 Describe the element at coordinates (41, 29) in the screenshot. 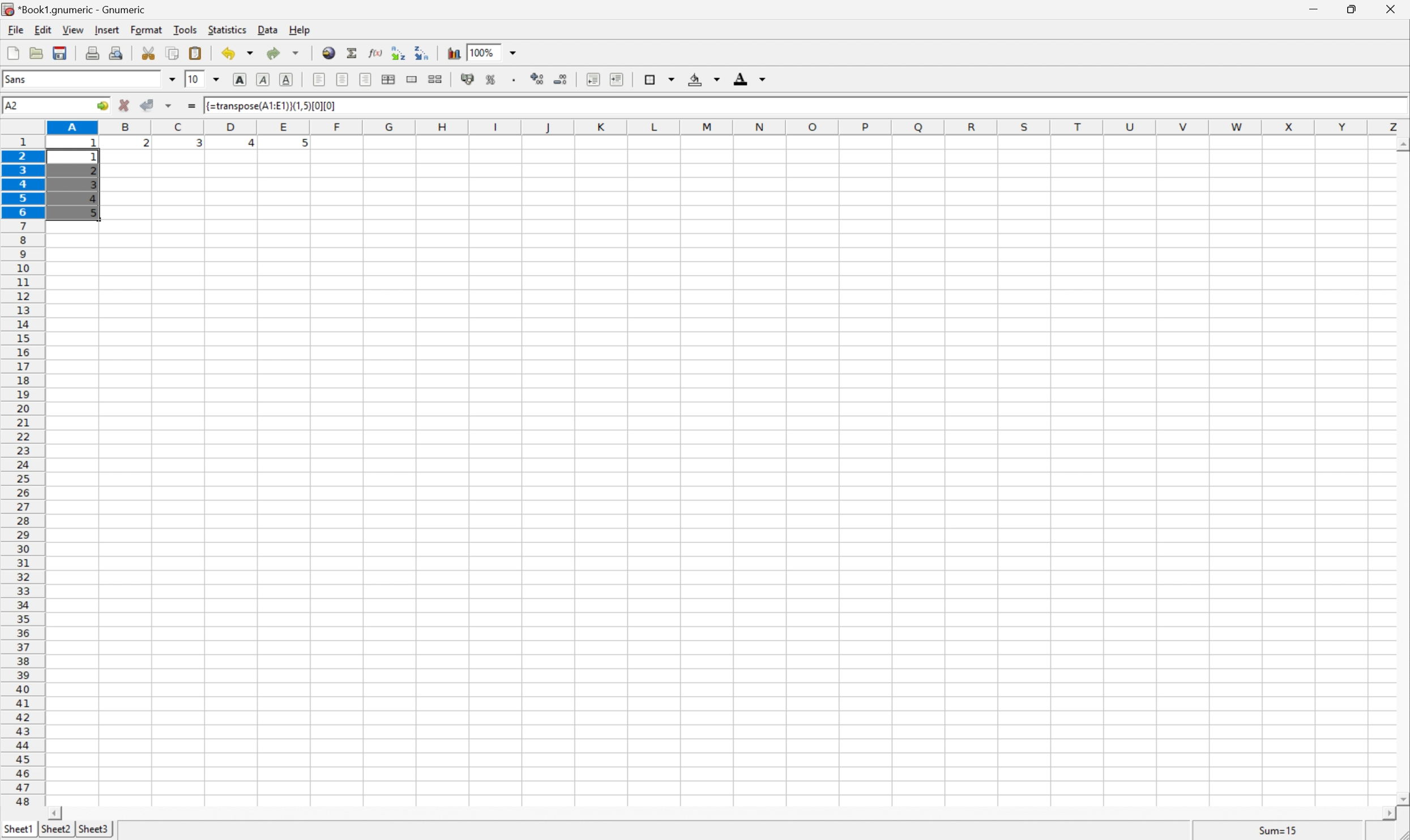

I see `edit` at that location.